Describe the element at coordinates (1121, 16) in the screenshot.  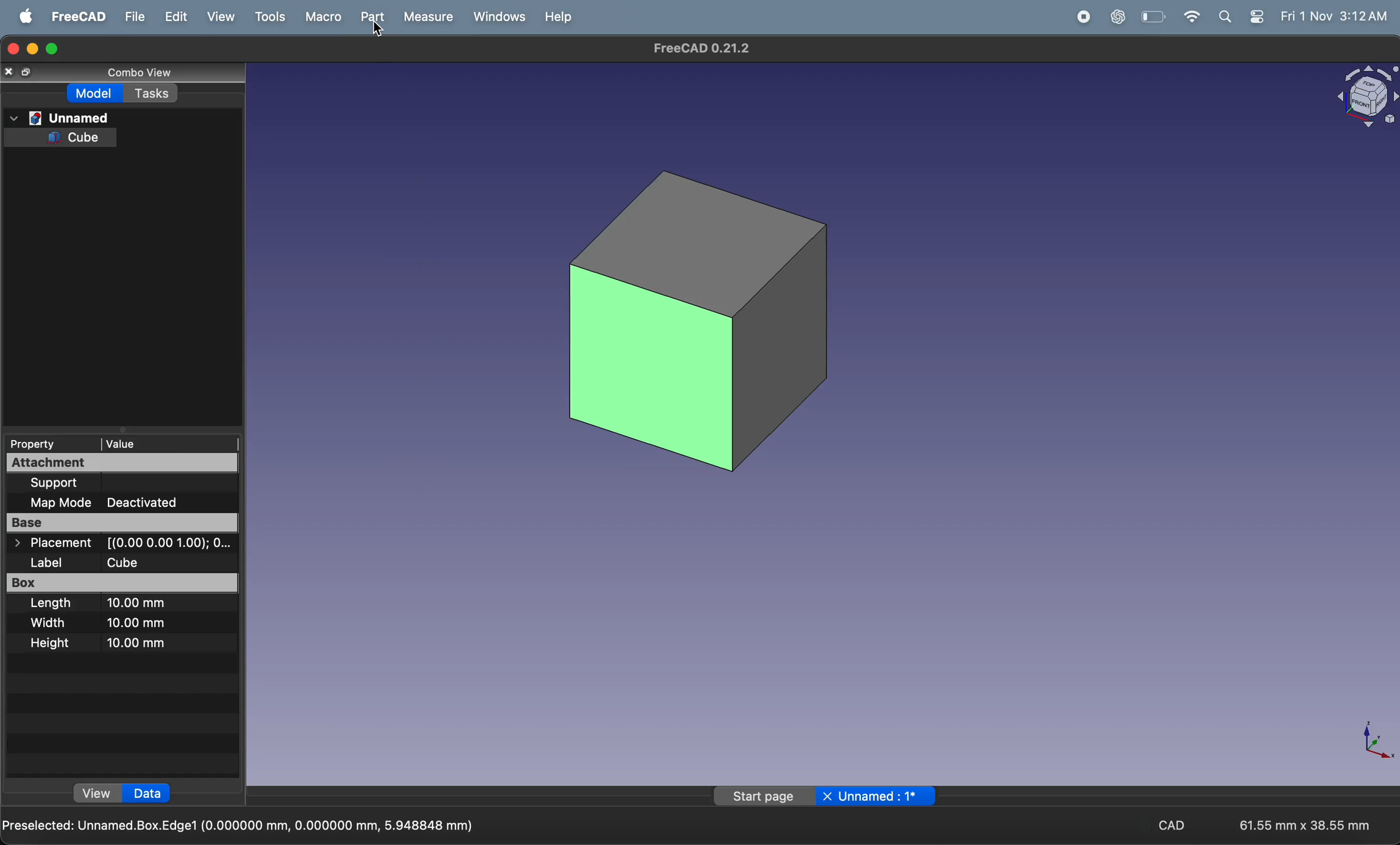
I see `chat gpt` at that location.